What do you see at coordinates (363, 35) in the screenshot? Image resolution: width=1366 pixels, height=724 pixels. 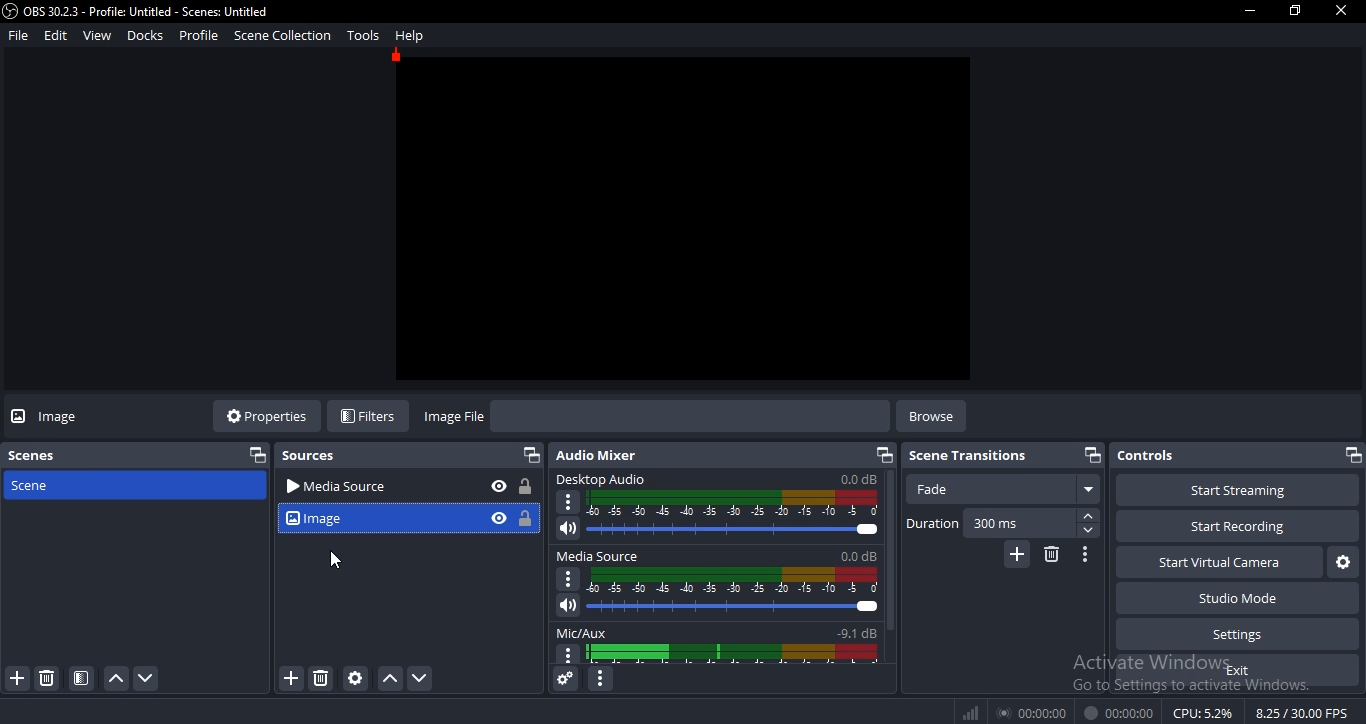 I see `tools` at bounding box center [363, 35].